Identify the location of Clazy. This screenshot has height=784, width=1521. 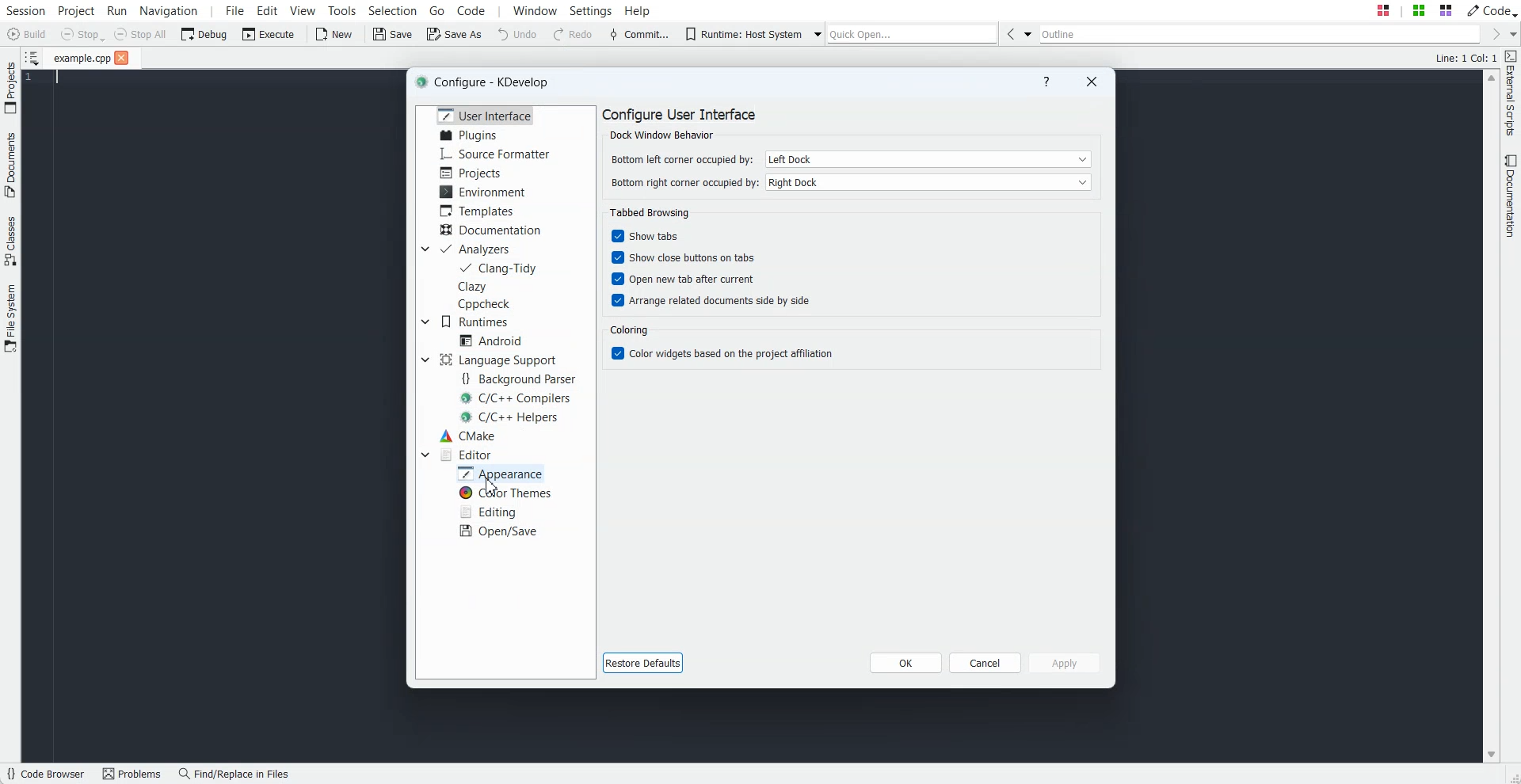
(473, 287).